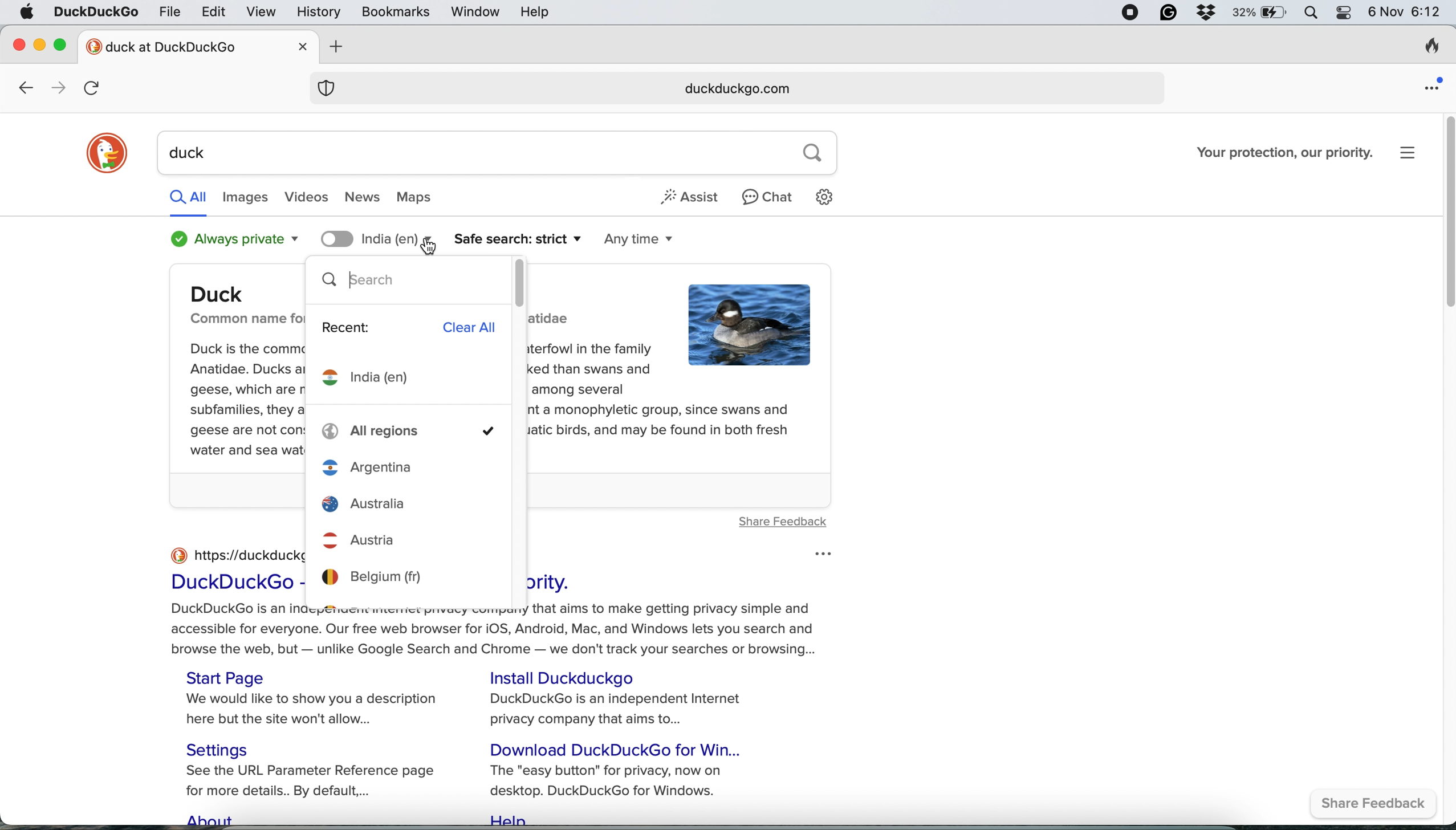 This screenshot has height=830, width=1456. Describe the element at coordinates (188, 196) in the screenshot. I see `all` at that location.